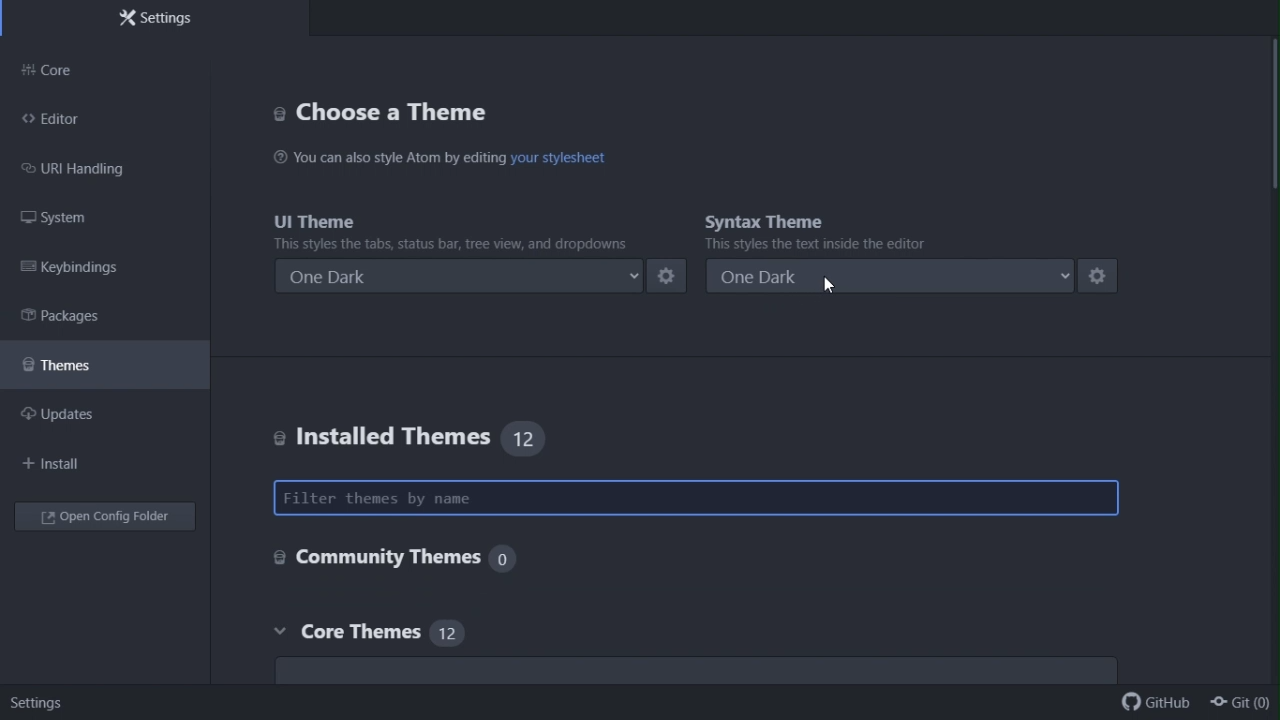  I want to click on use color profile configured in the operating sytem, so click(704, 672).